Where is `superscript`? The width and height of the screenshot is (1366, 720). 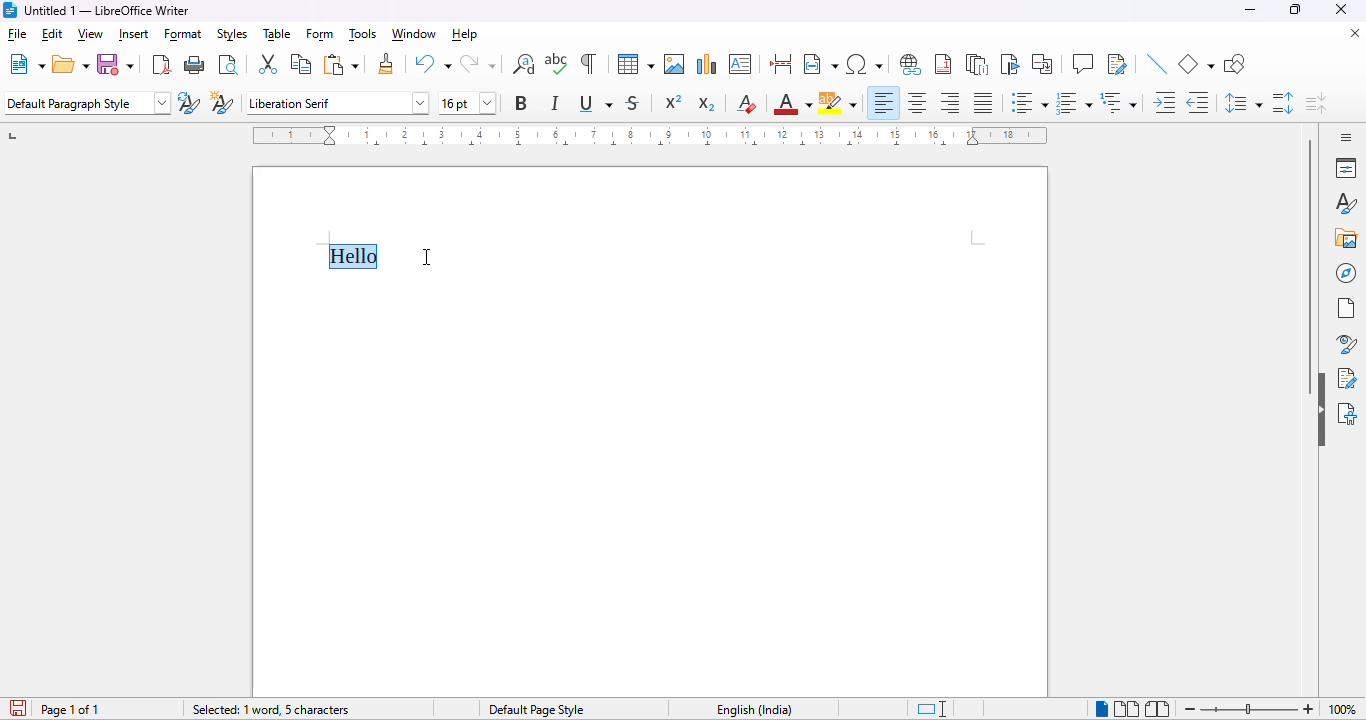 superscript is located at coordinates (673, 103).